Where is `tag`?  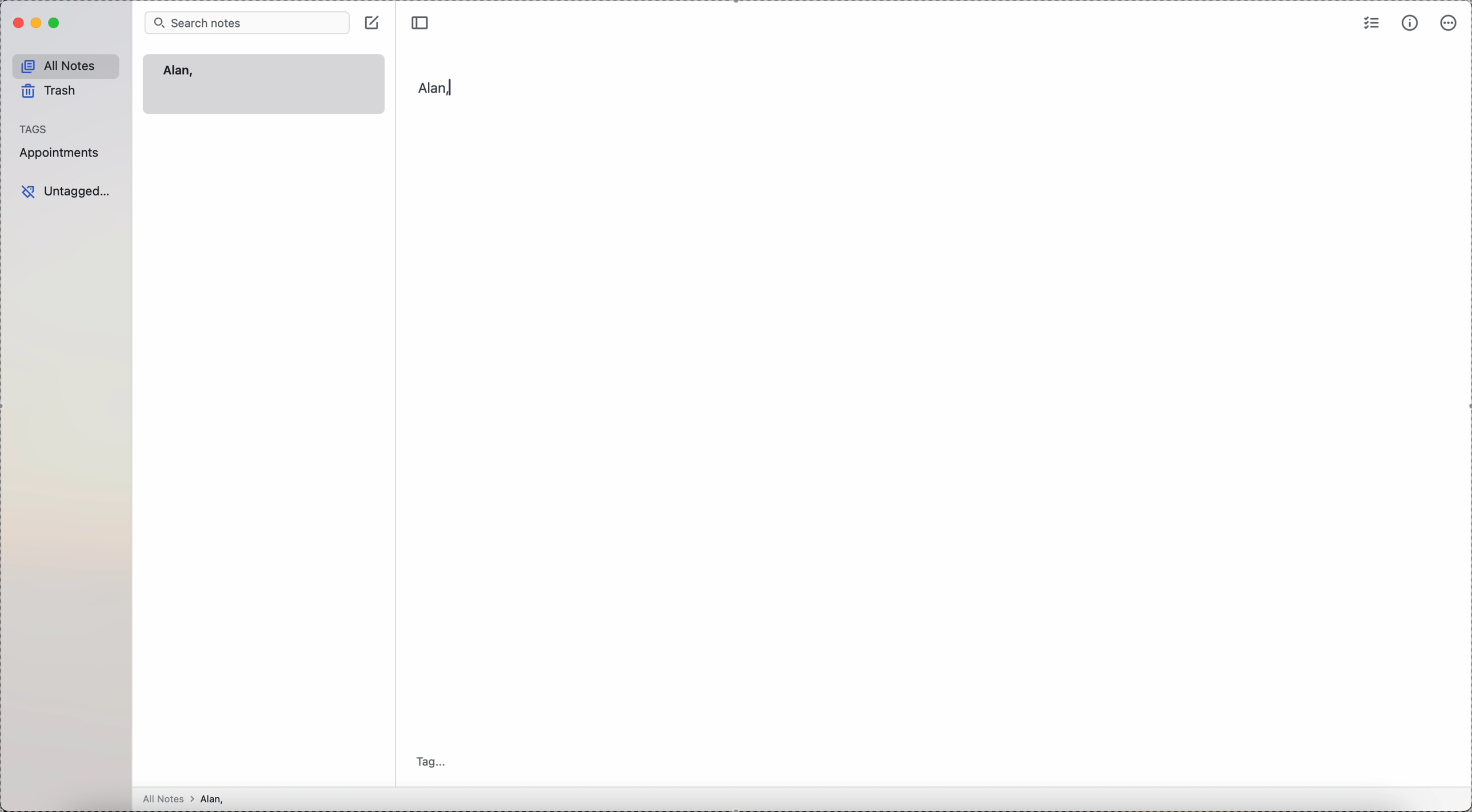 tag is located at coordinates (434, 763).